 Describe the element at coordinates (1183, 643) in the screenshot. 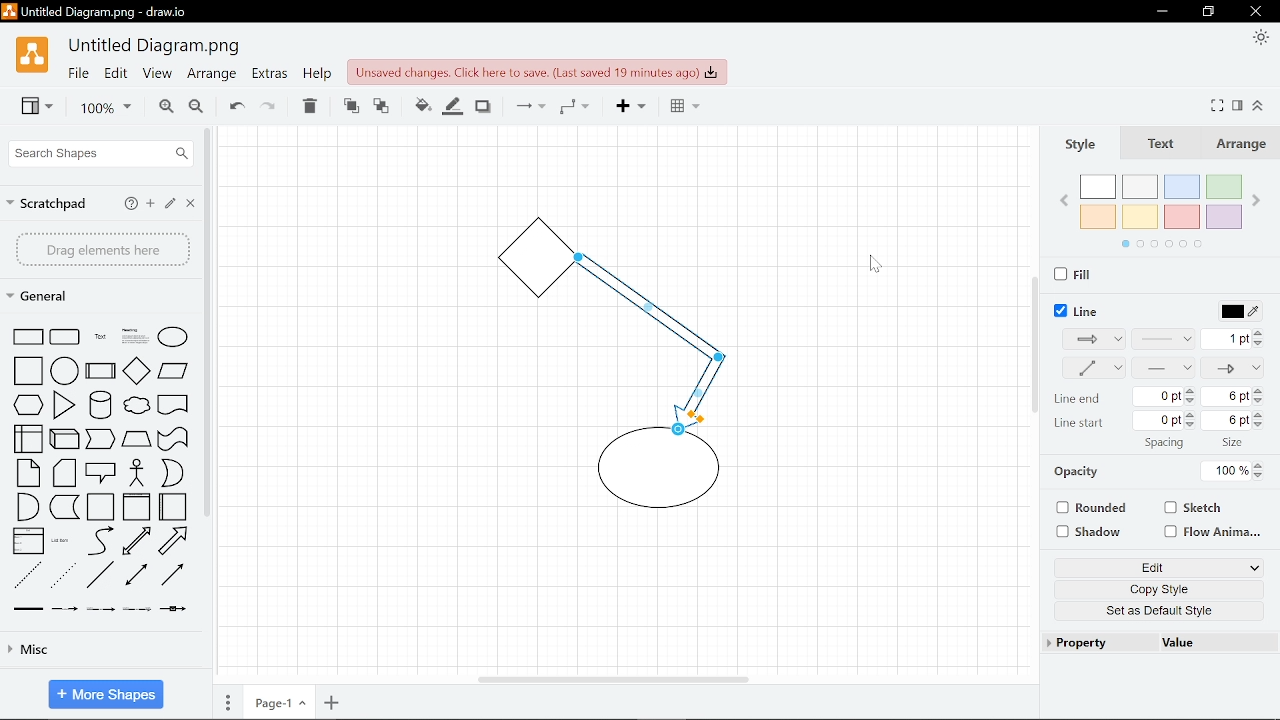

I see `Value` at that location.